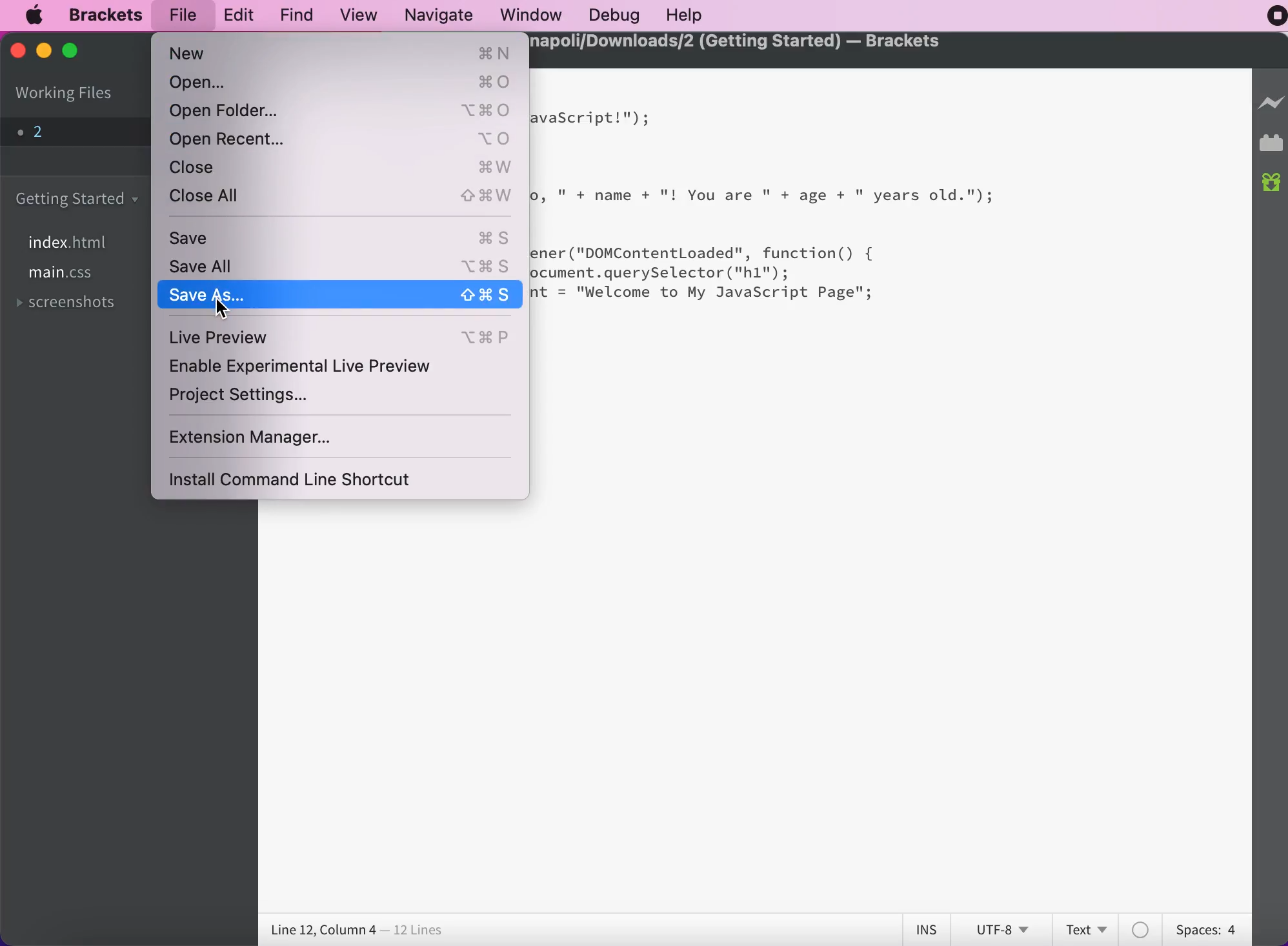 This screenshot has width=1288, height=946. What do you see at coordinates (687, 15) in the screenshot?
I see `help` at bounding box center [687, 15].